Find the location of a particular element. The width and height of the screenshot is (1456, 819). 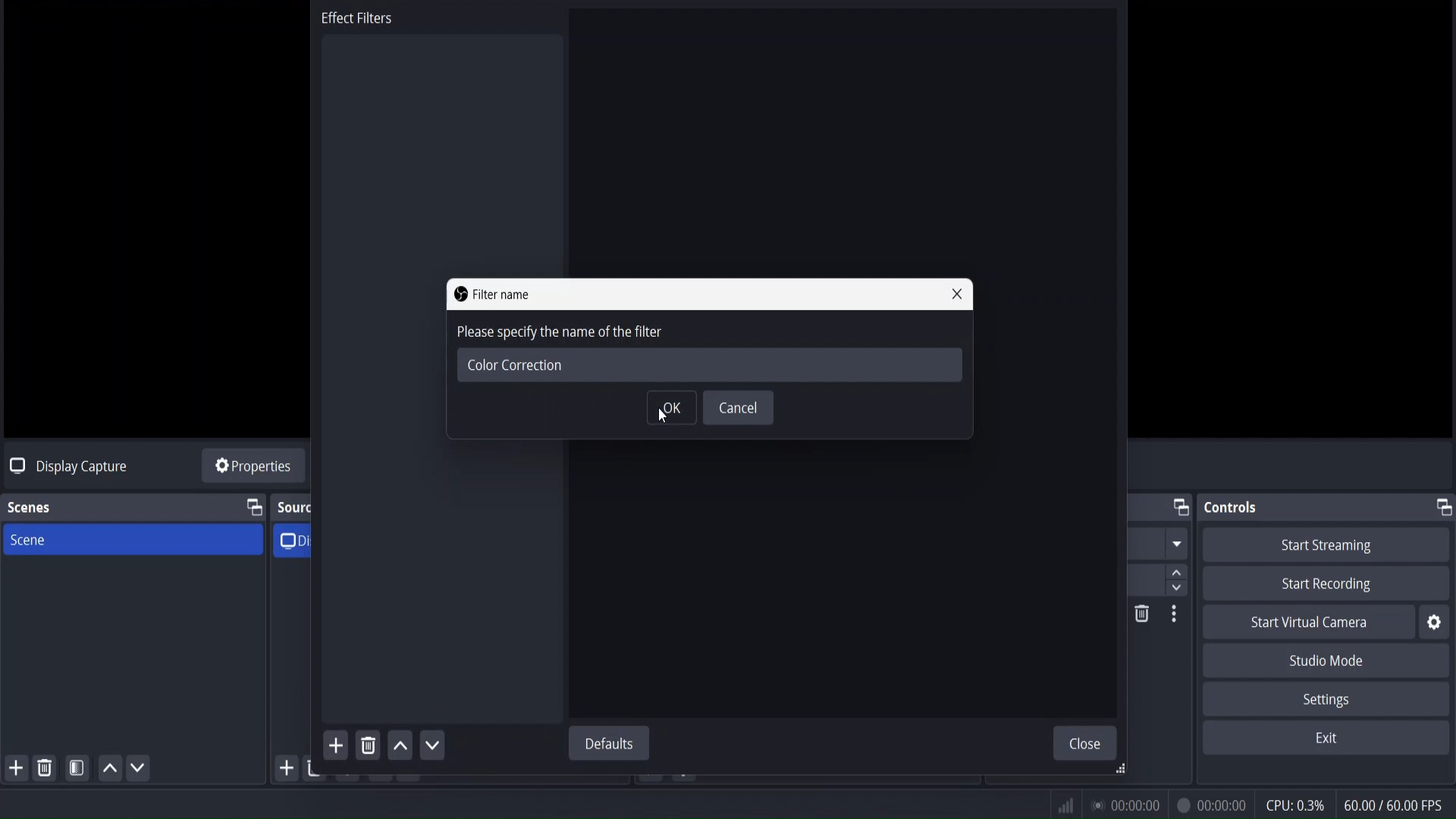

start streaming is located at coordinates (1328, 545).